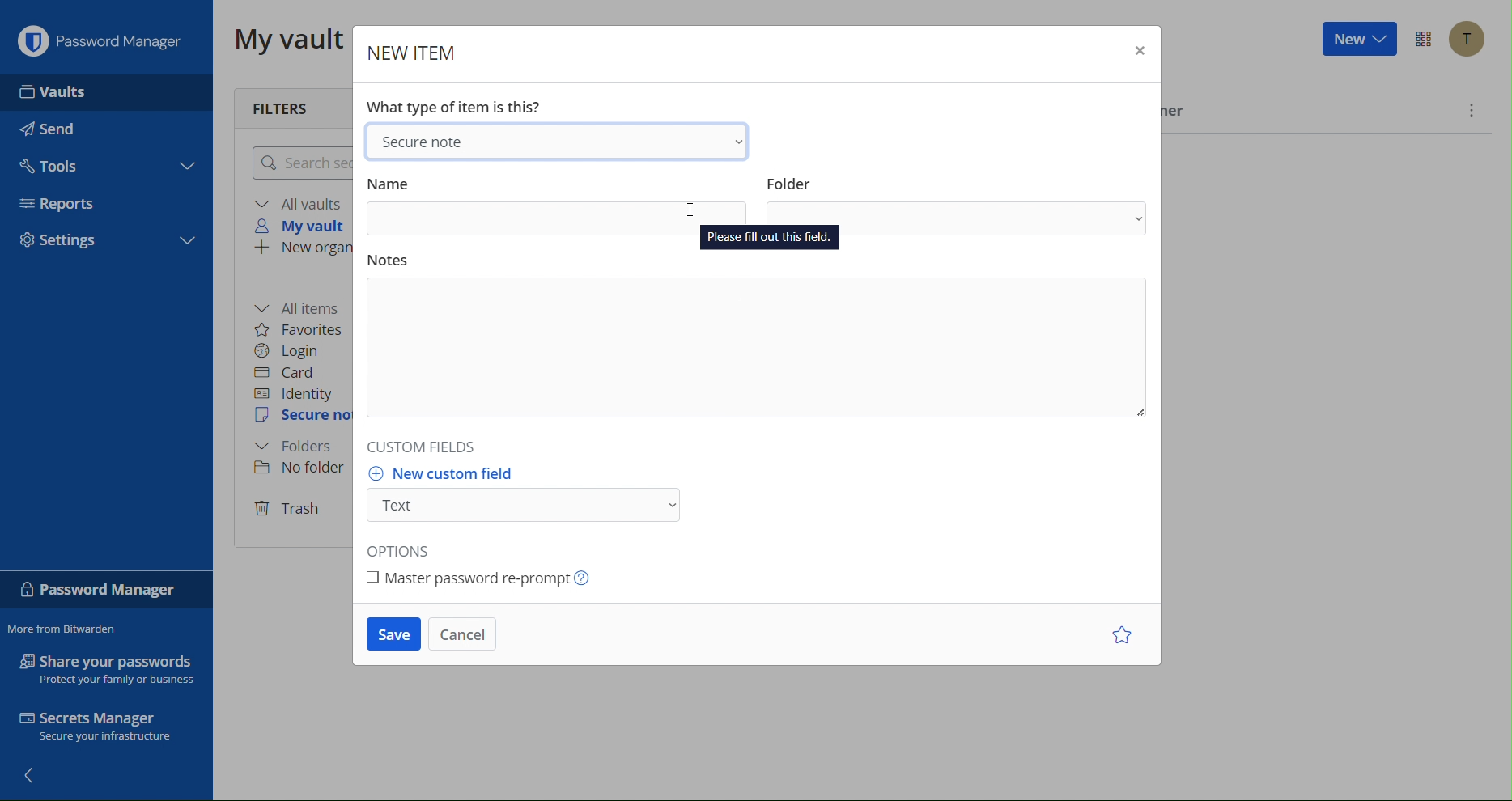 The image size is (1512, 801). Describe the element at coordinates (466, 636) in the screenshot. I see `Cancel` at that location.